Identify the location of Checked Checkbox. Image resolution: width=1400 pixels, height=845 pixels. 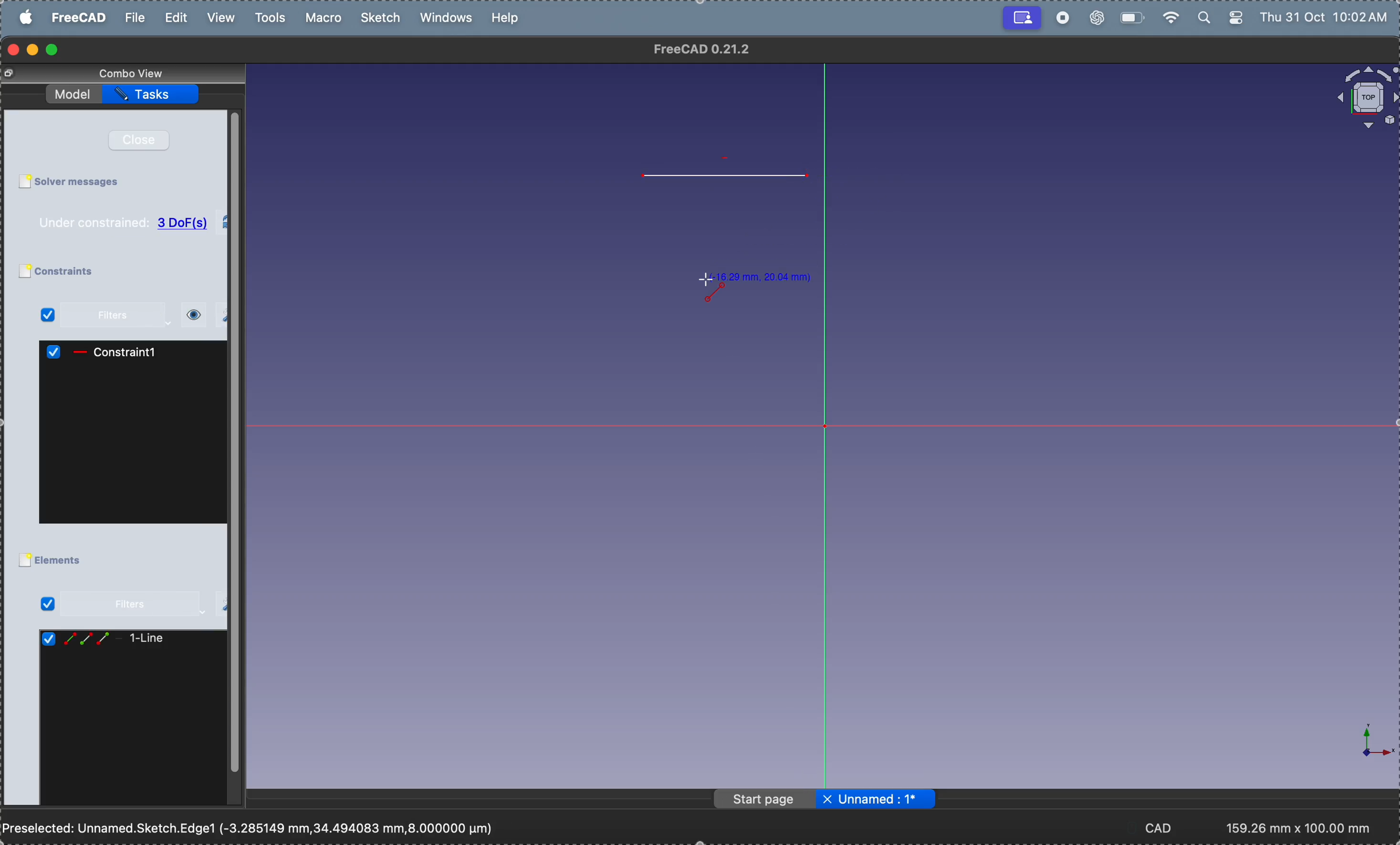
(48, 316).